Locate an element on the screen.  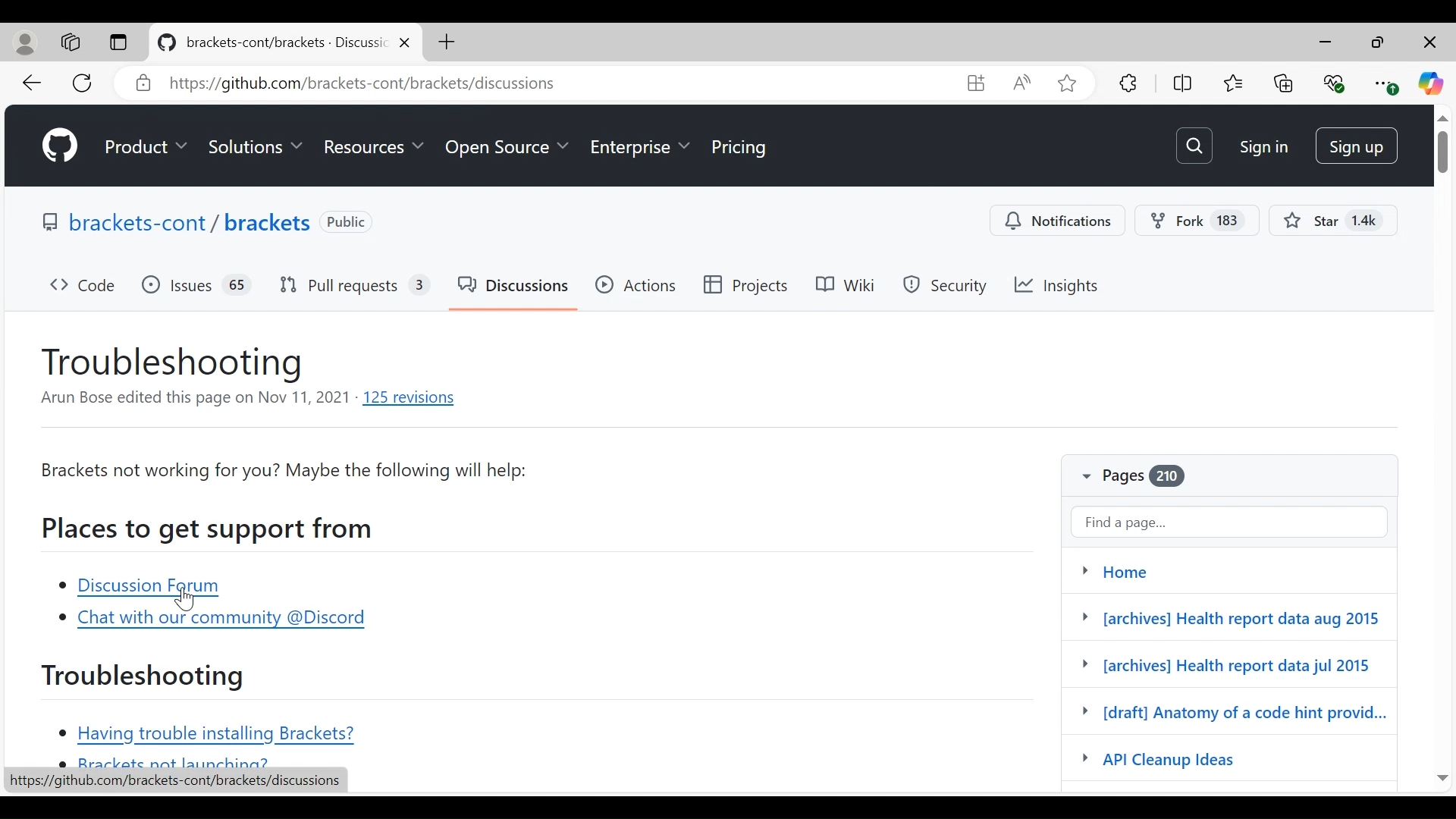
Health Report data aug 2015 is located at coordinates (1225, 616).